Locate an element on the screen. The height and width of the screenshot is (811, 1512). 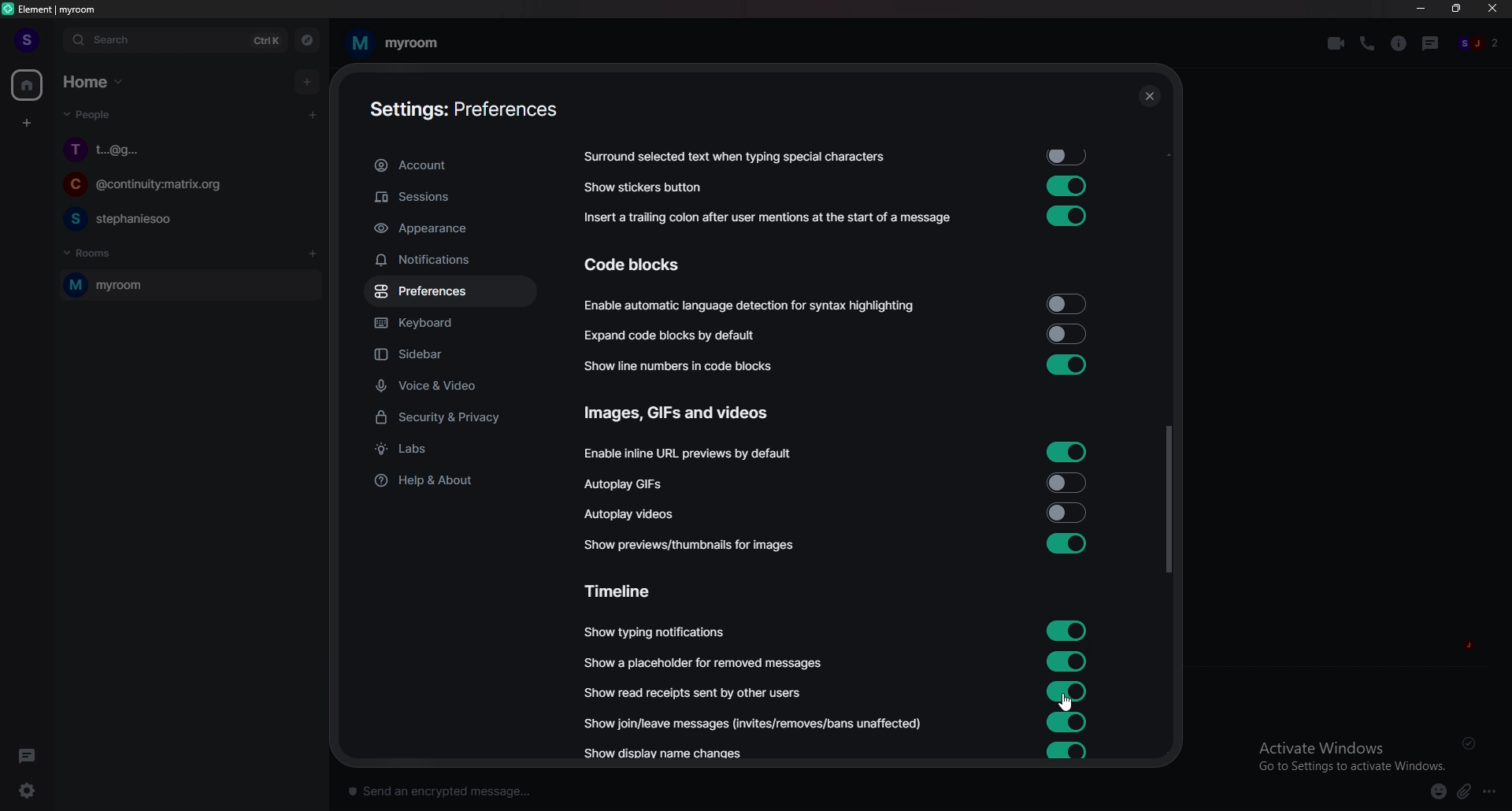
create a space is located at coordinates (28, 124).